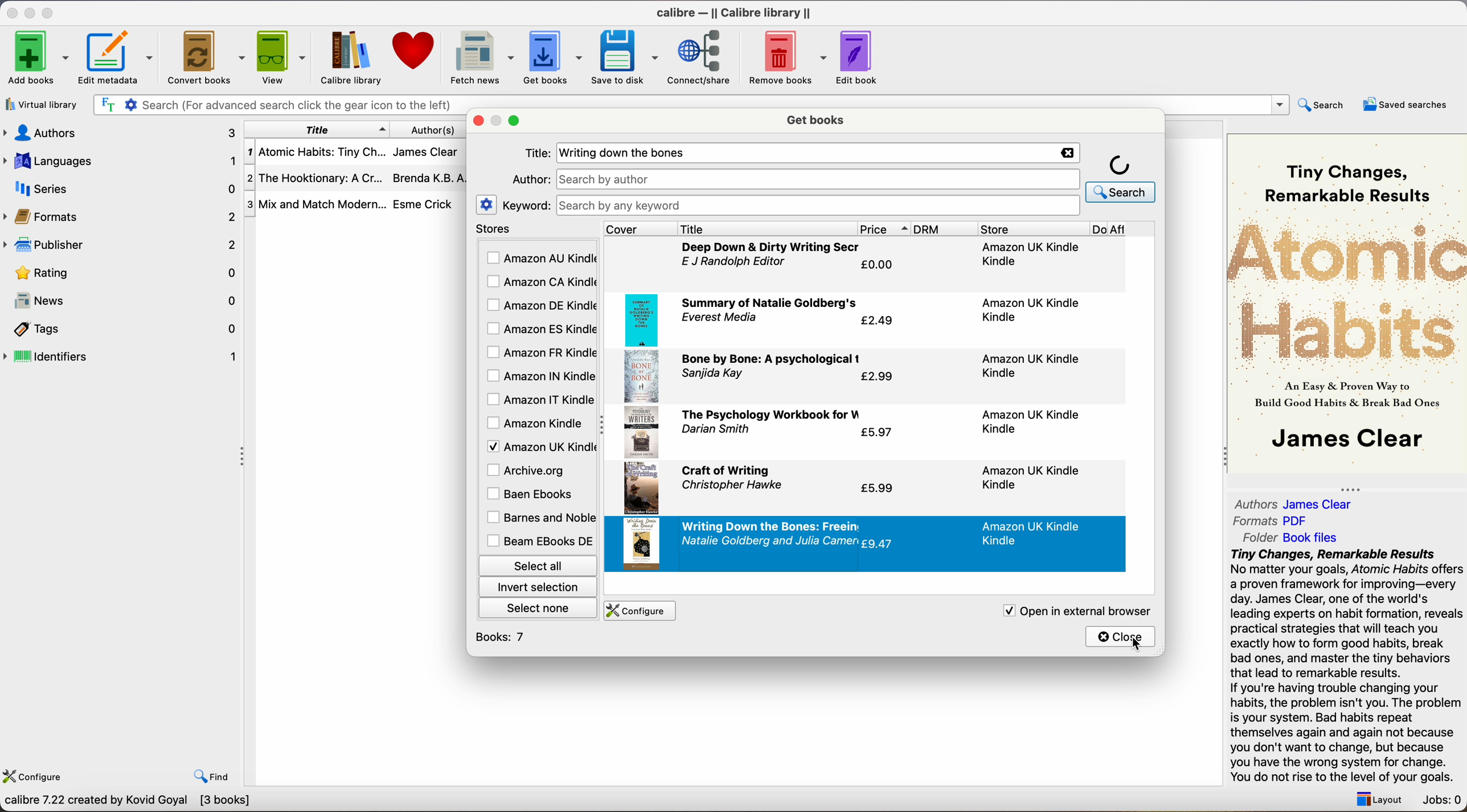  What do you see at coordinates (532, 495) in the screenshot?
I see `baen ebooks` at bounding box center [532, 495].